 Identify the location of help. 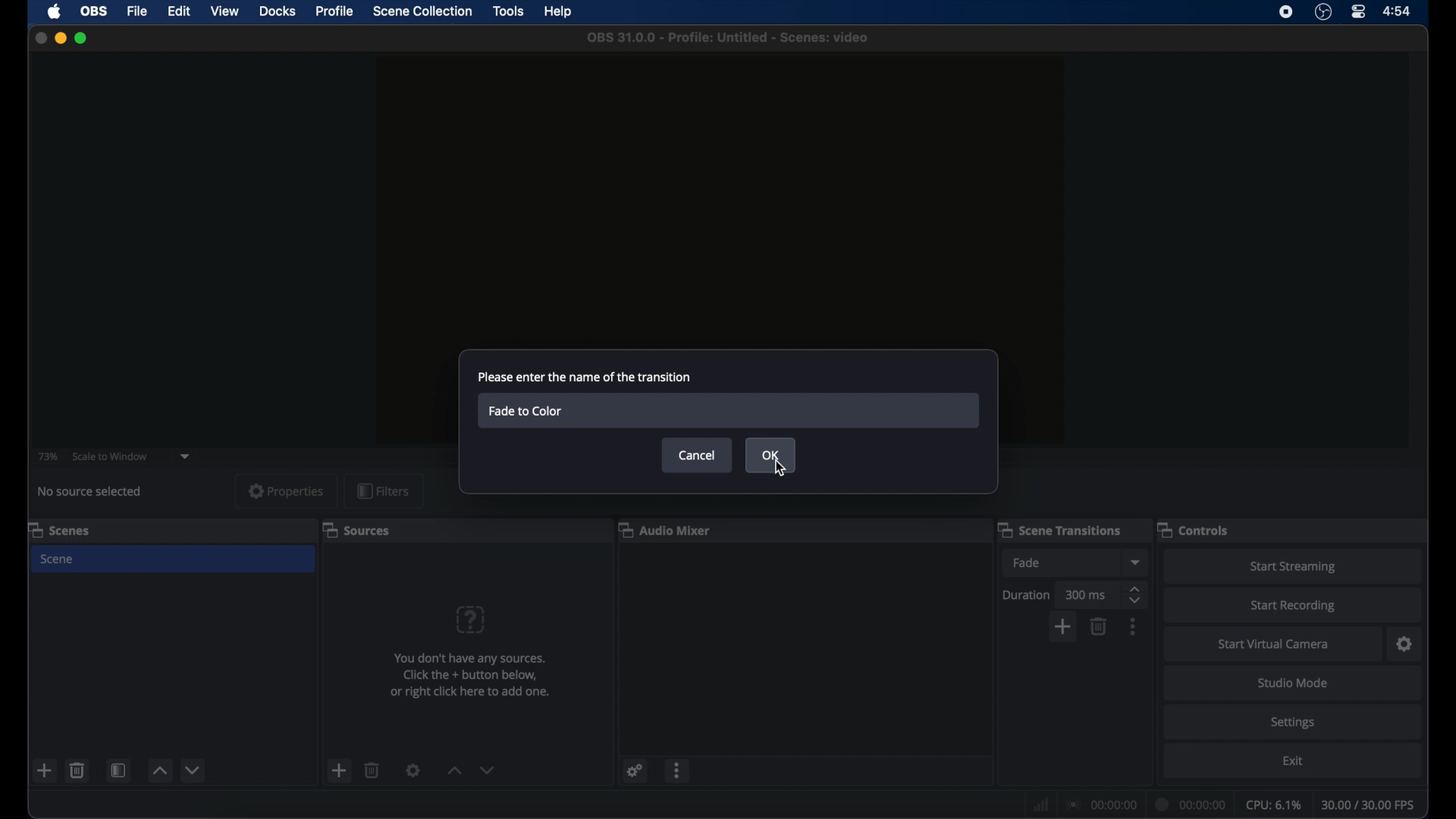
(558, 11).